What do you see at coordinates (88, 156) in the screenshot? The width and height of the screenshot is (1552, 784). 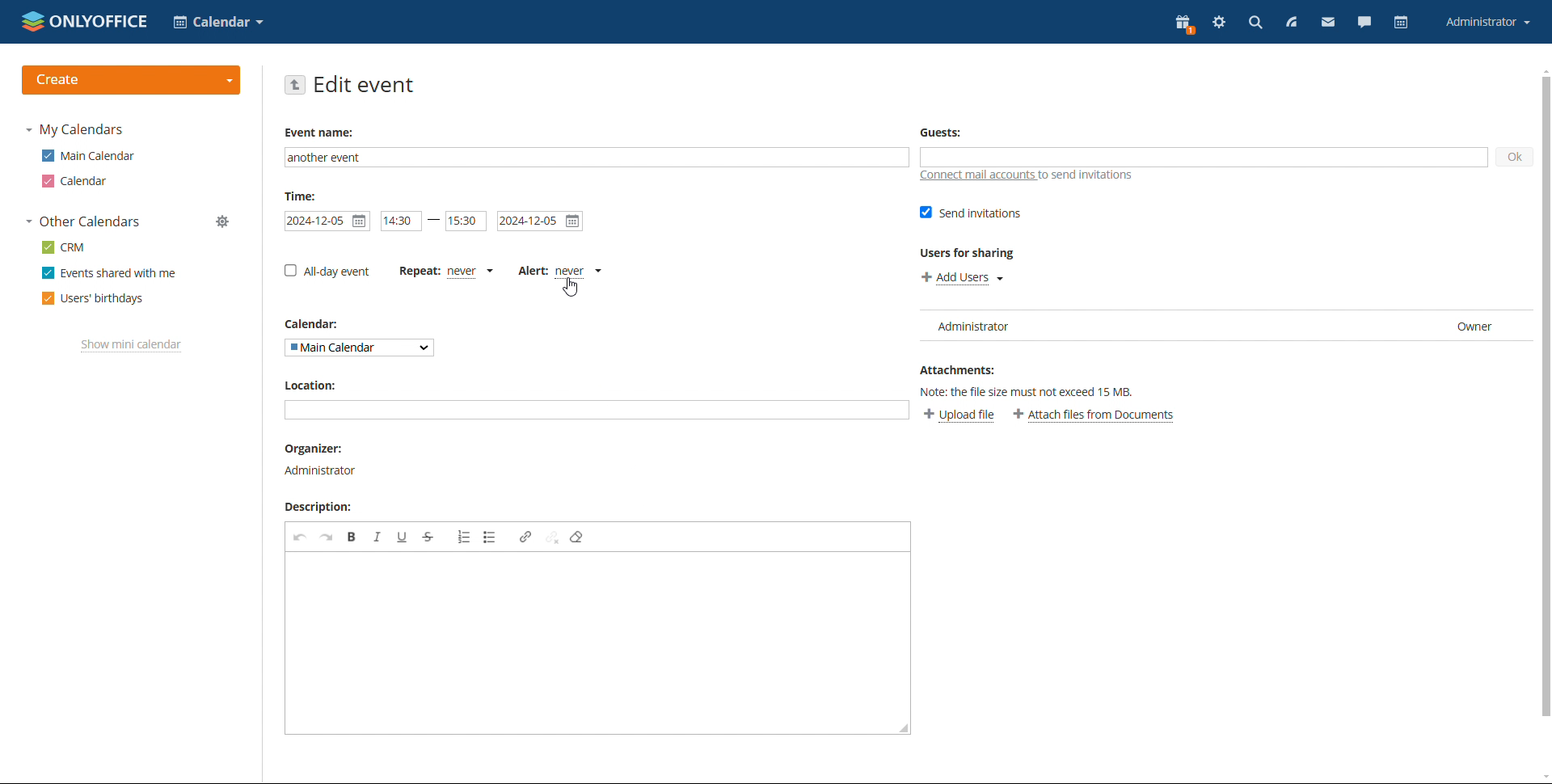 I see `main calendar` at bounding box center [88, 156].